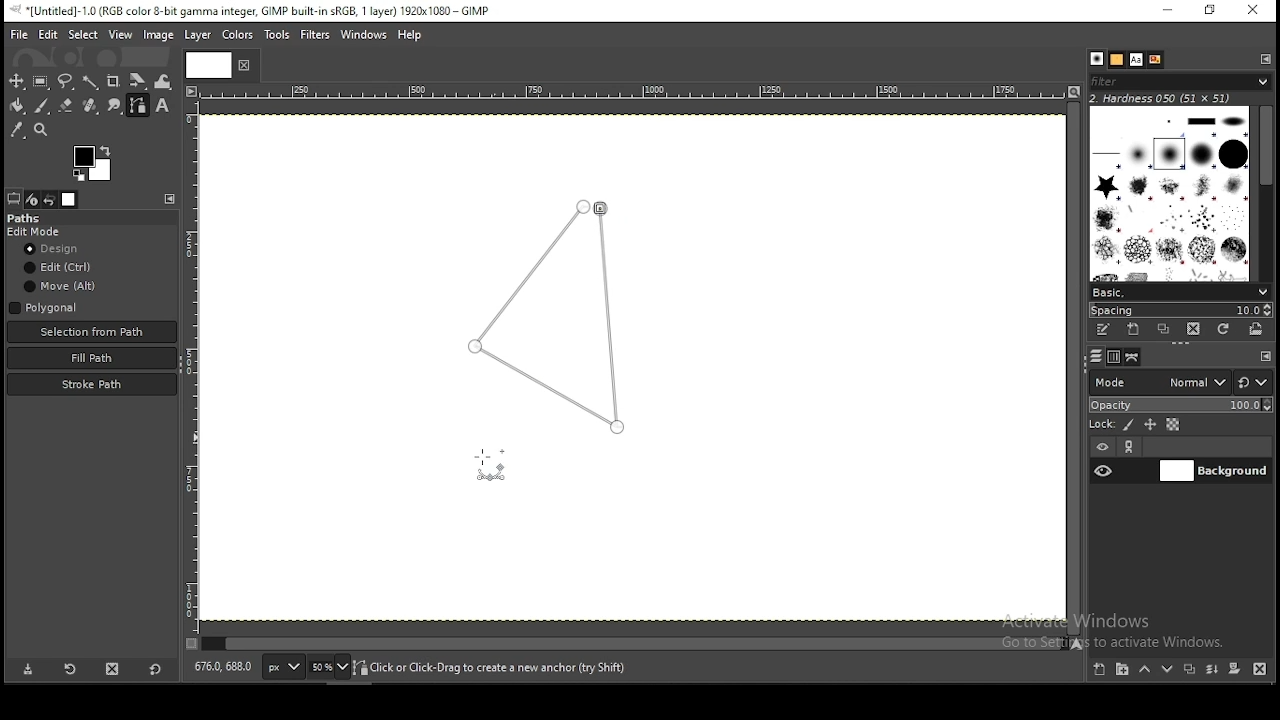 The height and width of the screenshot is (720, 1280). I want to click on smudge tool, so click(115, 106).